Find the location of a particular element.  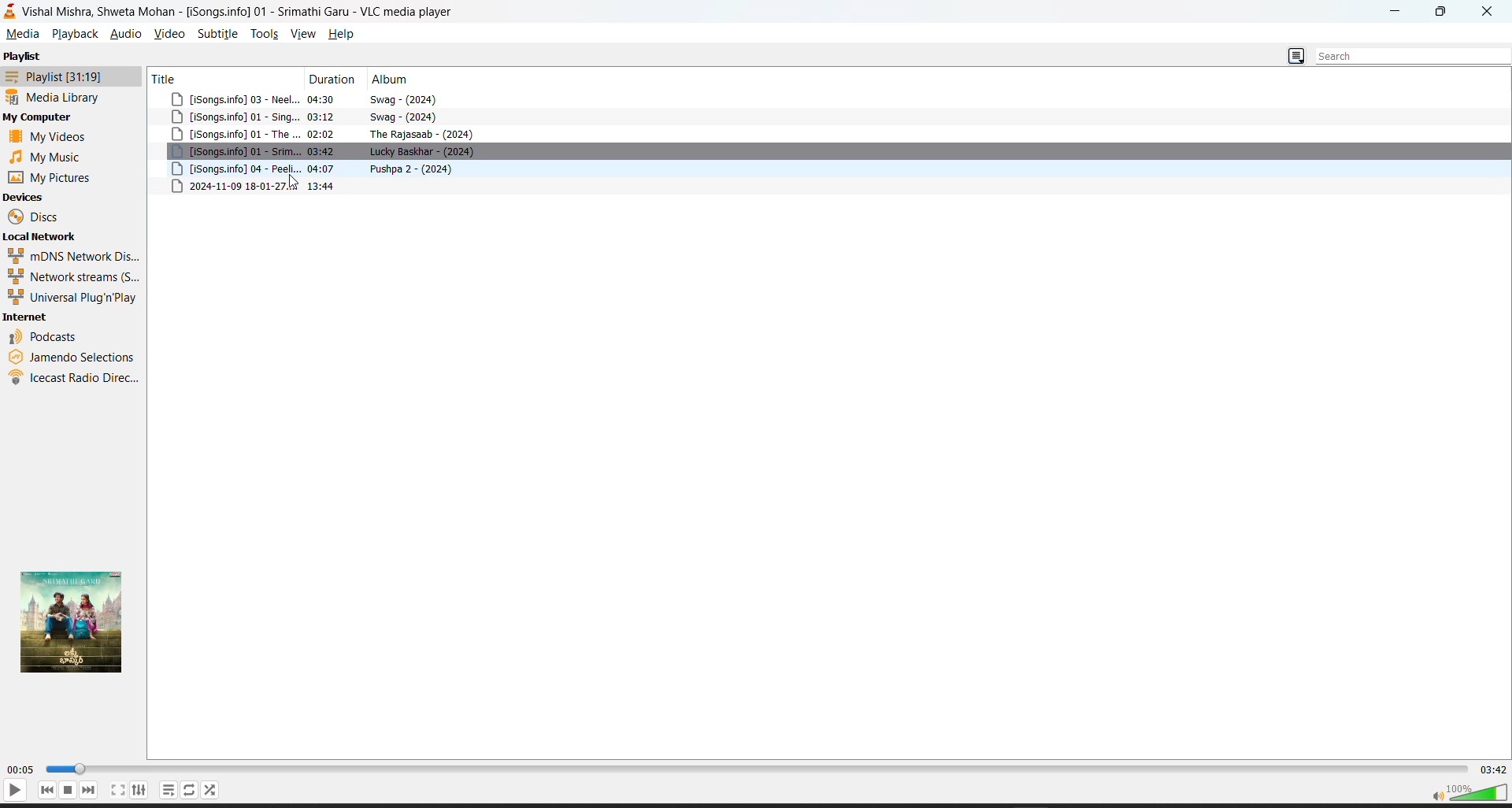

jamendo selections is located at coordinates (74, 357).